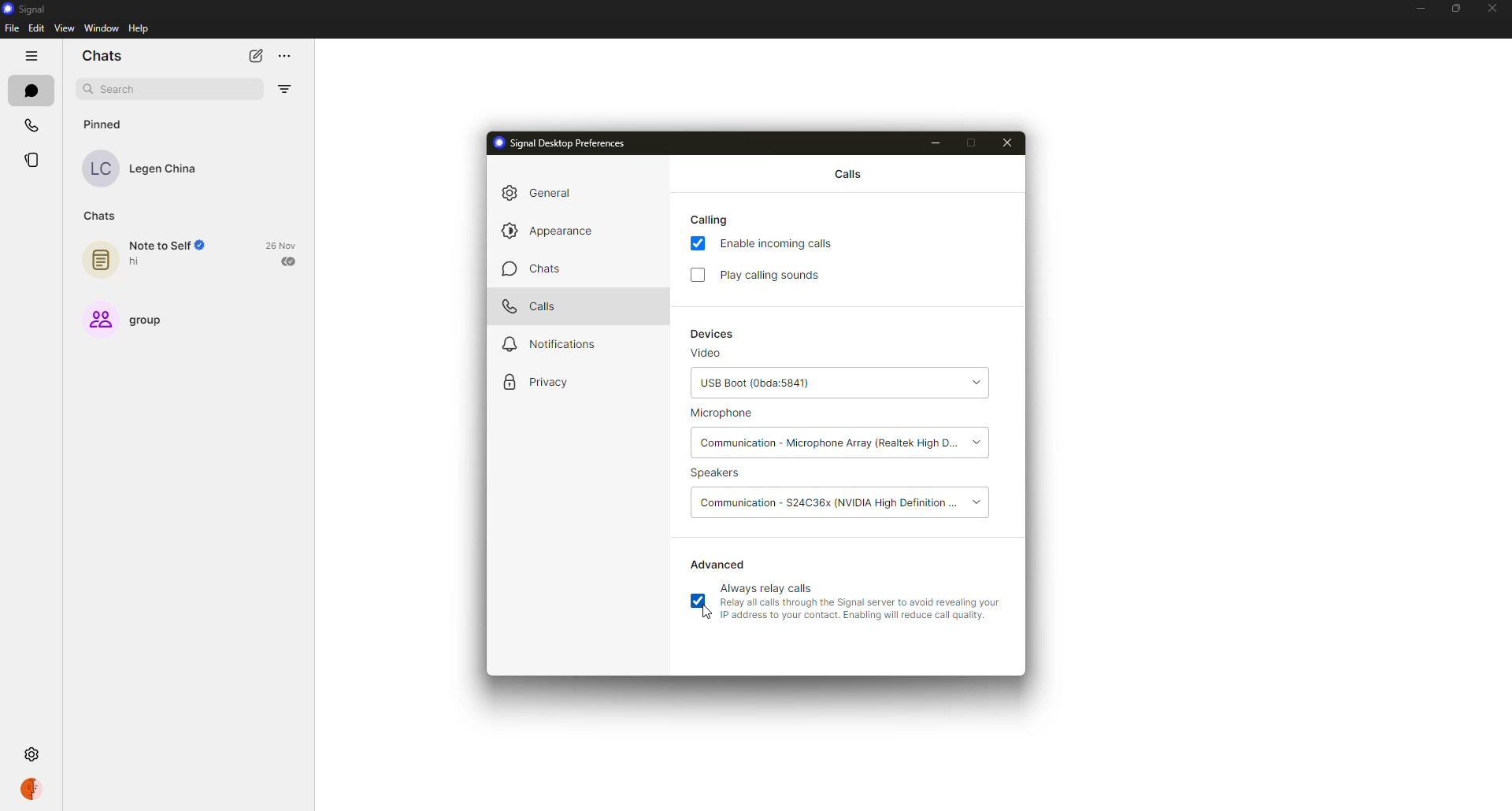 Image resolution: width=1512 pixels, height=811 pixels. What do you see at coordinates (34, 756) in the screenshot?
I see `settings` at bounding box center [34, 756].